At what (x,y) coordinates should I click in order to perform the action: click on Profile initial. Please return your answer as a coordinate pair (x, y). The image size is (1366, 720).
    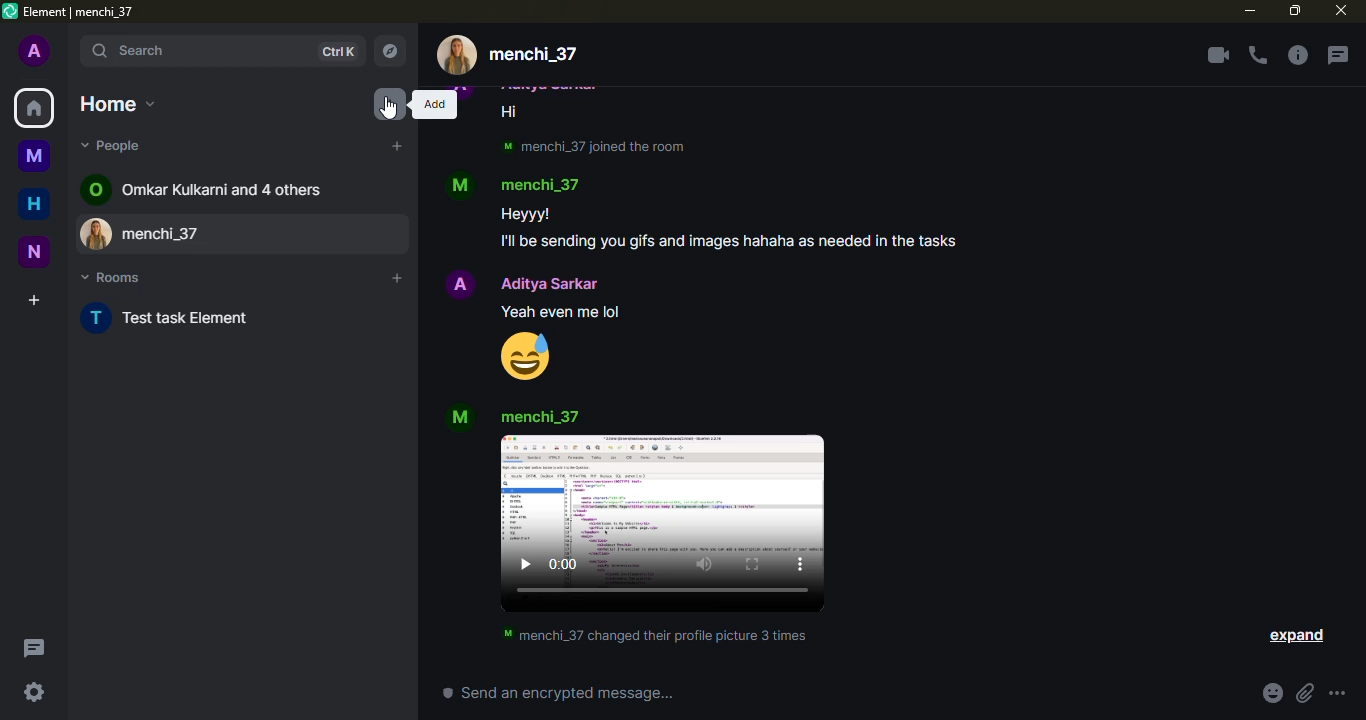
    Looking at the image, I should click on (97, 318).